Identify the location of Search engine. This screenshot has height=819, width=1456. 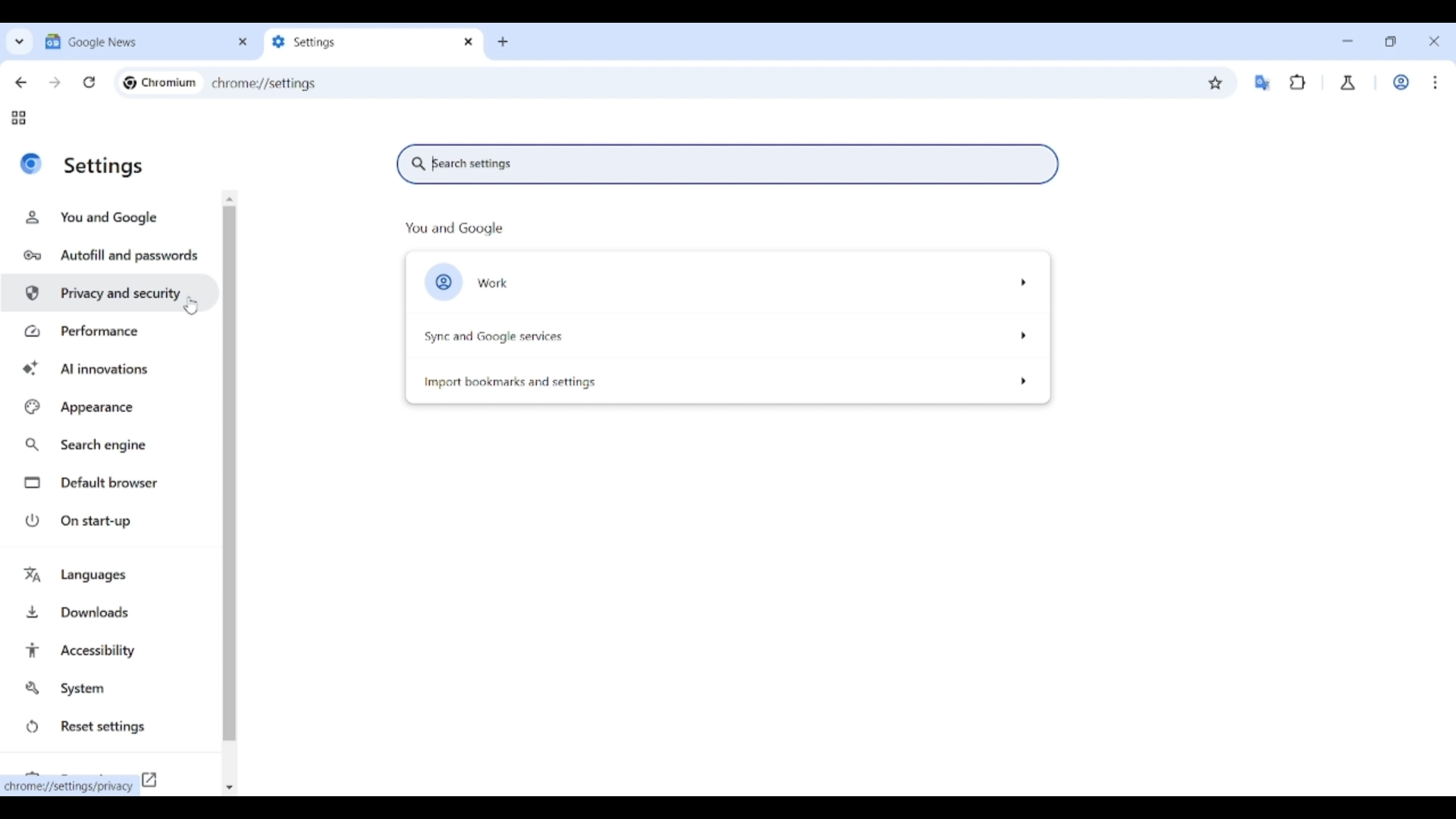
(111, 445).